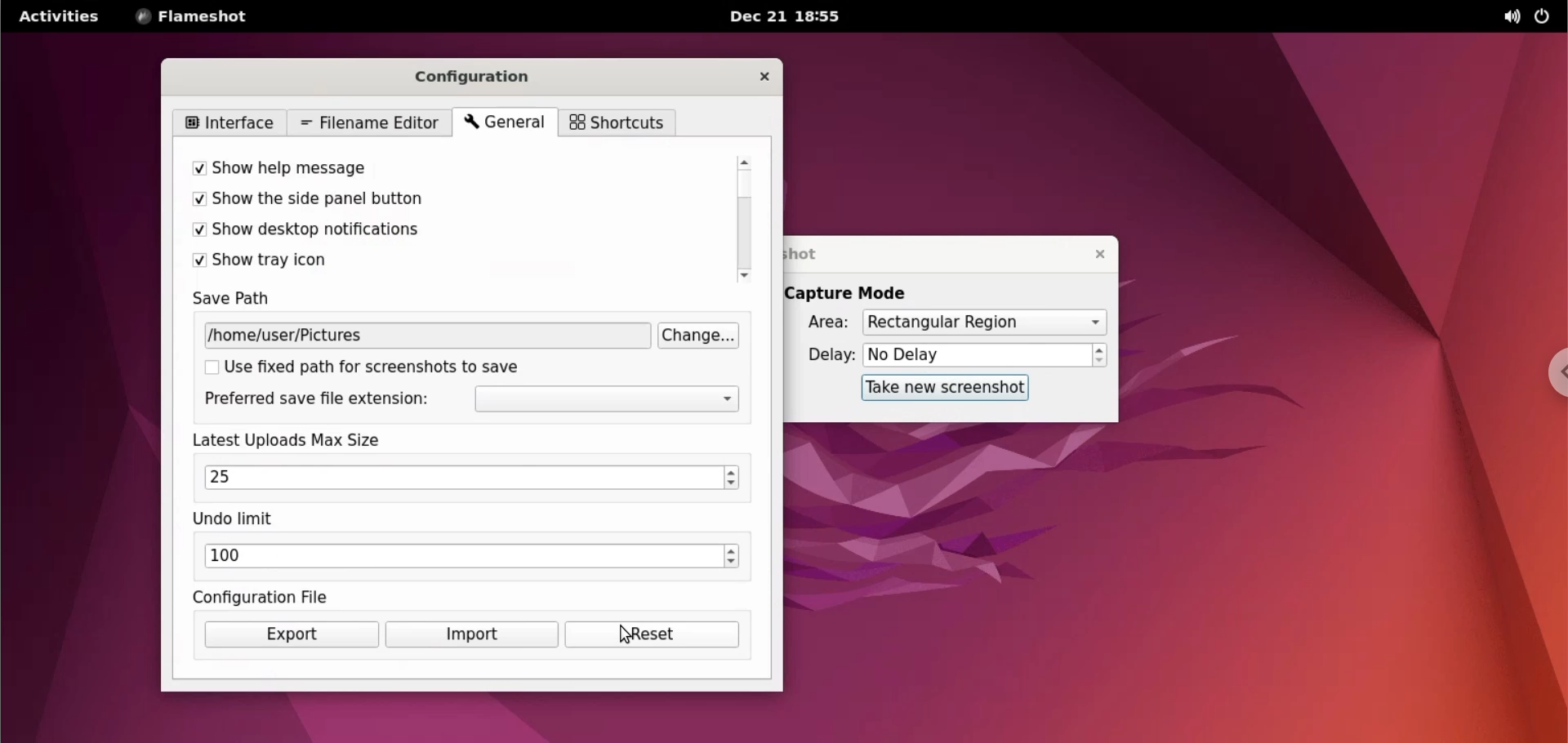 Image resolution: width=1568 pixels, height=743 pixels. Describe the element at coordinates (1548, 377) in the screenshot. I see `chrome options` at that location.